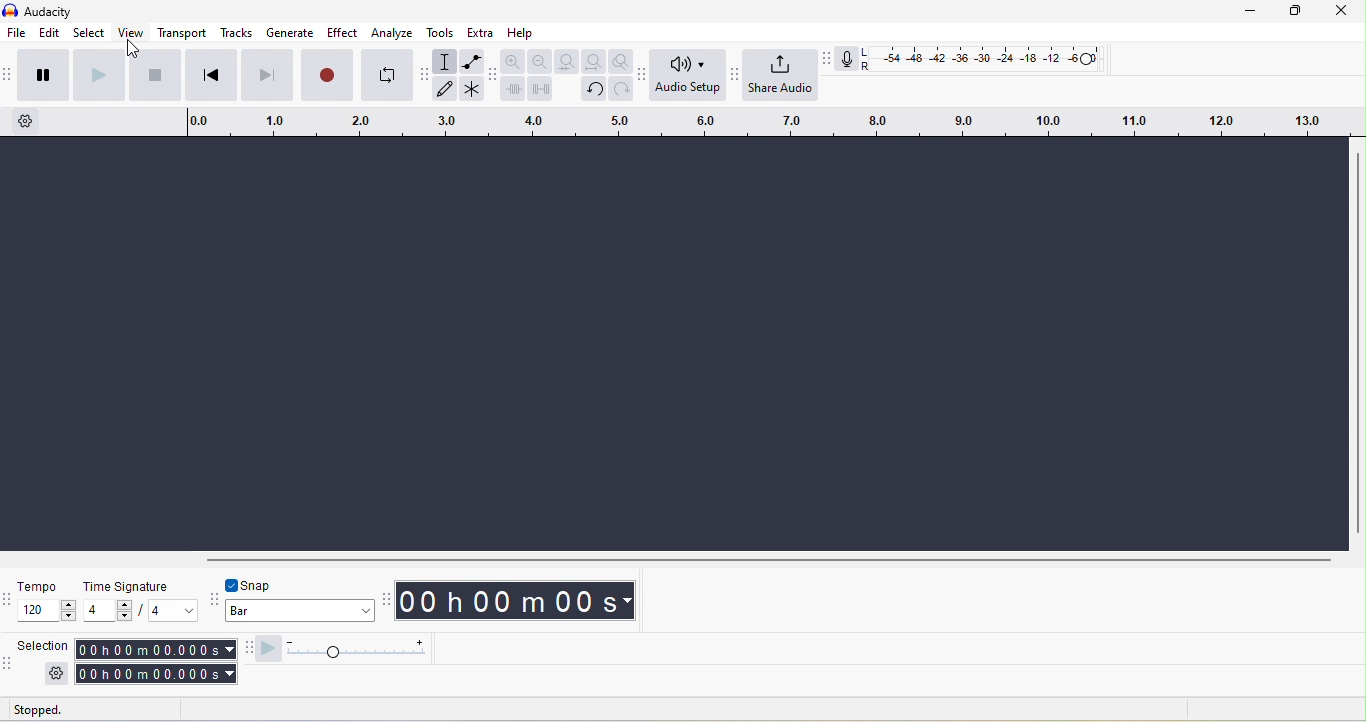 Image resolution: width=1366 pixels, height=722 pixels. Describe the element at coordinates (213, 601) in the screenshot. I see `snapping toolbar` at that location.